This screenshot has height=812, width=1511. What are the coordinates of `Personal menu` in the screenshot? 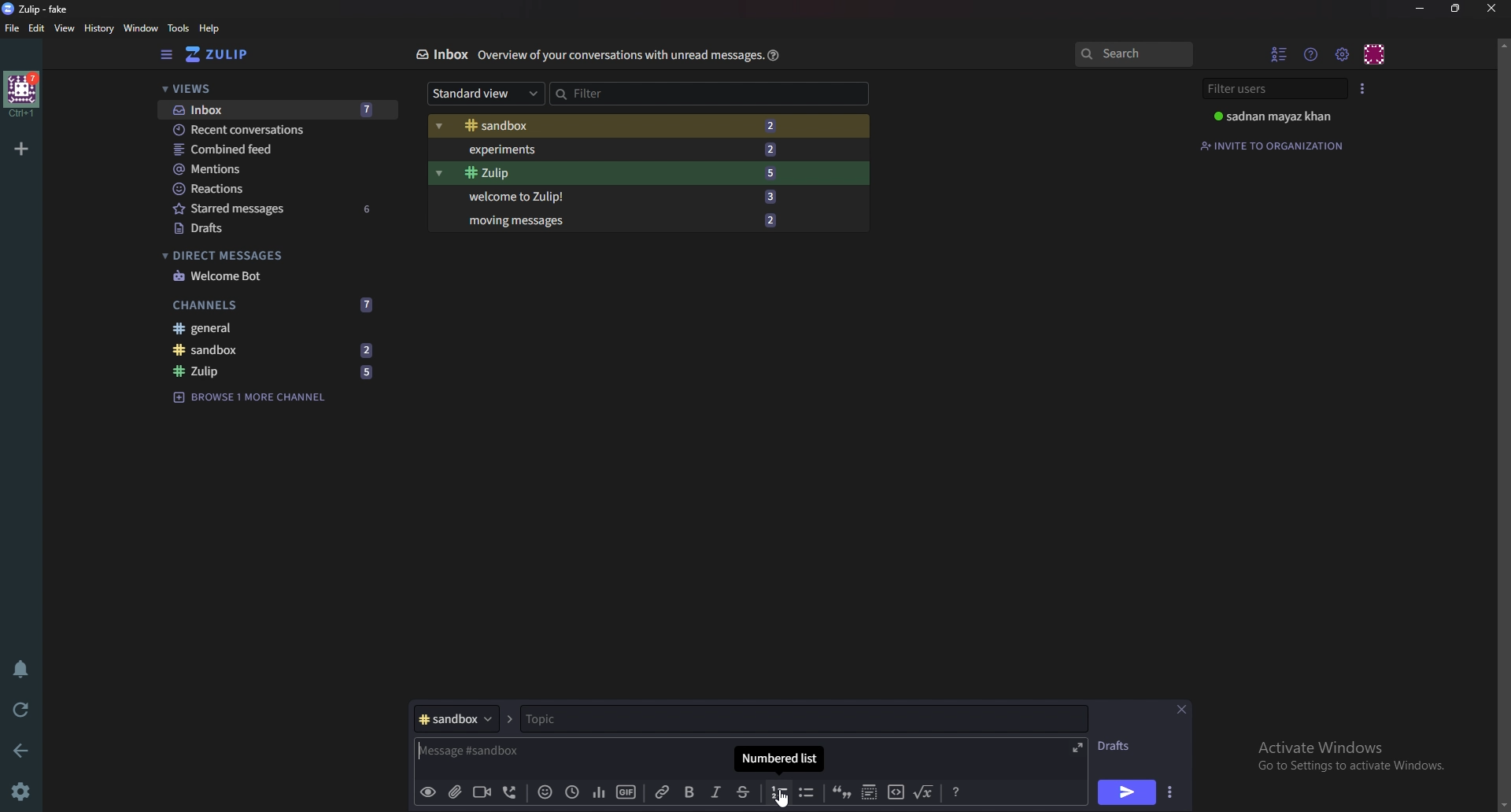 It's located at (1376, 53).